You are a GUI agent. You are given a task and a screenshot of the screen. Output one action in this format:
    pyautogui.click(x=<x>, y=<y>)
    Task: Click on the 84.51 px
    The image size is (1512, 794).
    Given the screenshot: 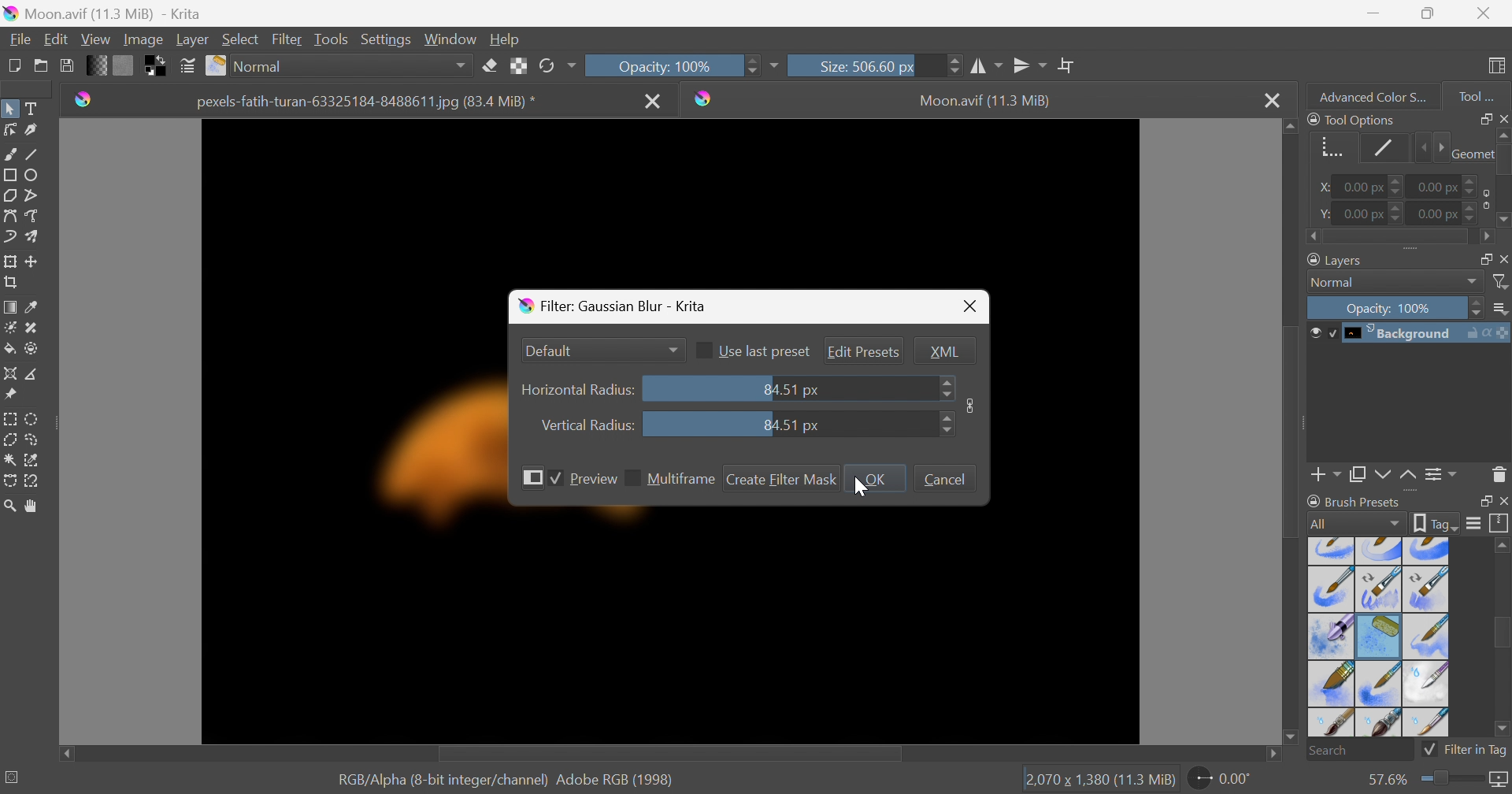 What is the action you would take?
    pyautogui.click(x=790, y=425)
    